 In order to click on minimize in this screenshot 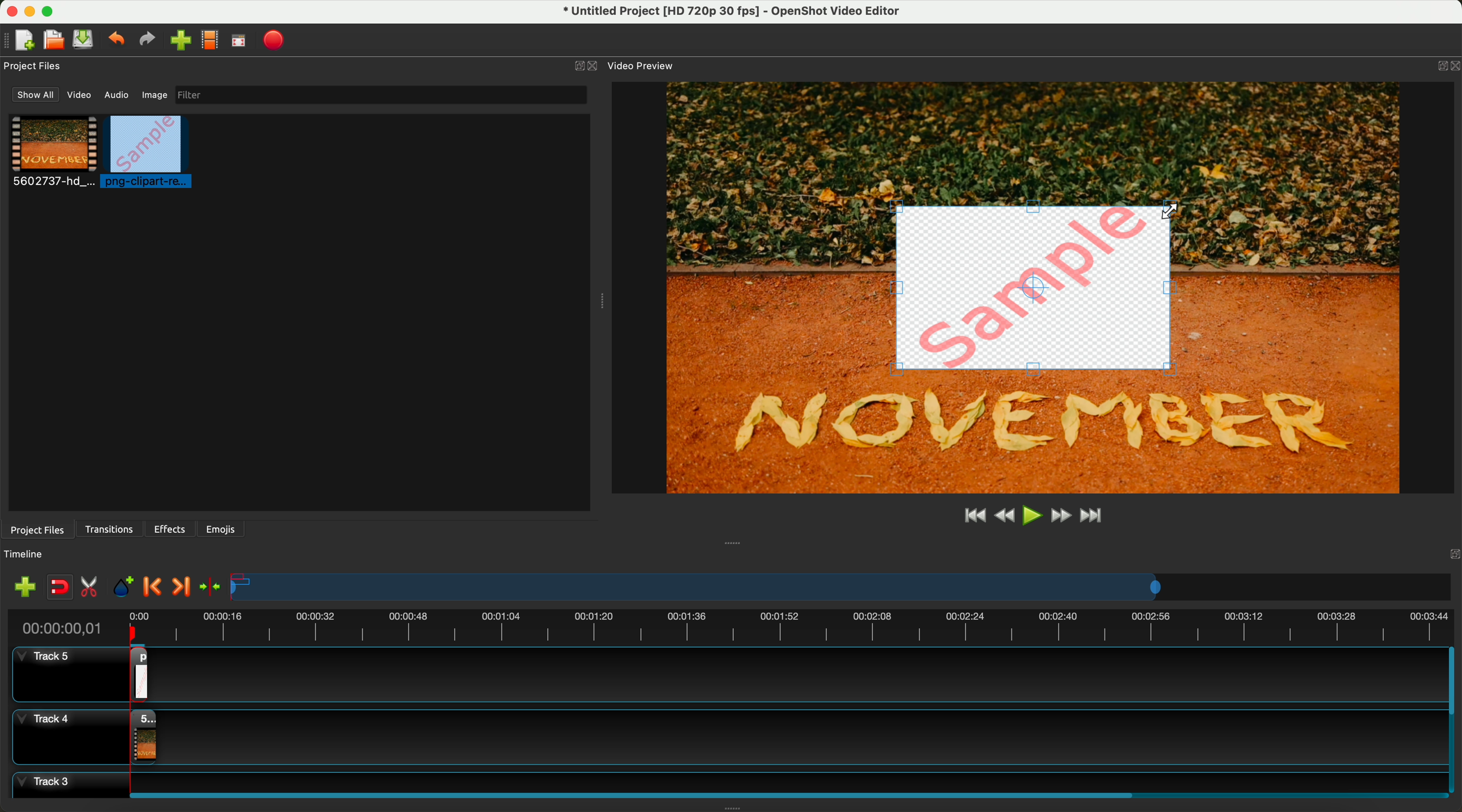, I will do `click(30, 14)`.